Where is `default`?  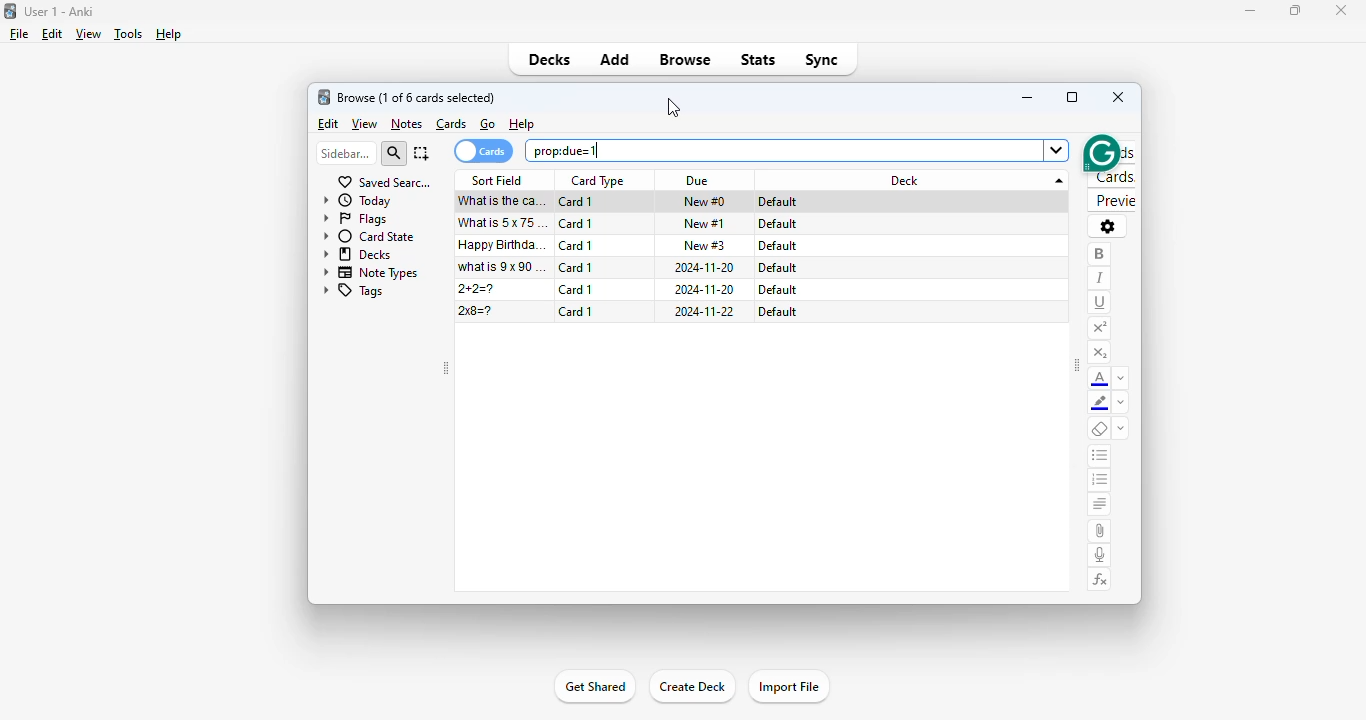
default is located at coordinates (778, 312).